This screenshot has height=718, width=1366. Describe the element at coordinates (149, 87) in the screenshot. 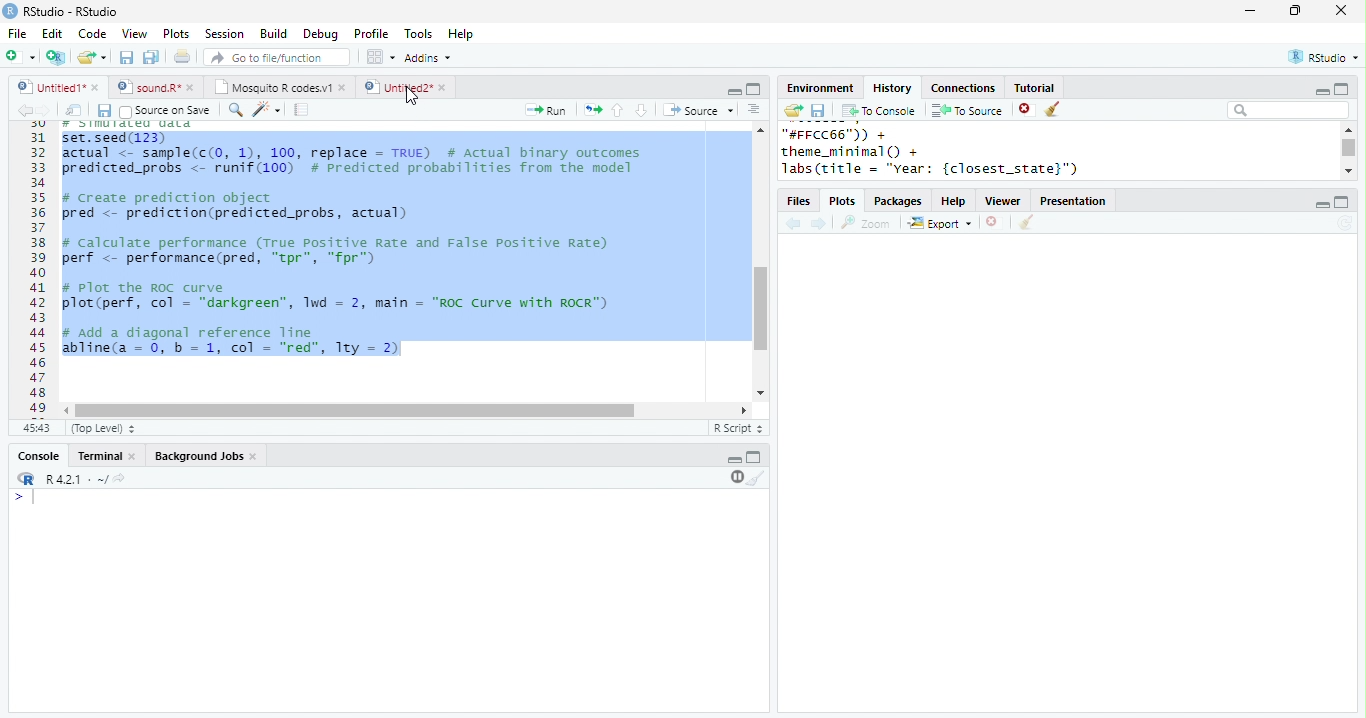

I see `sound.R` at that location.